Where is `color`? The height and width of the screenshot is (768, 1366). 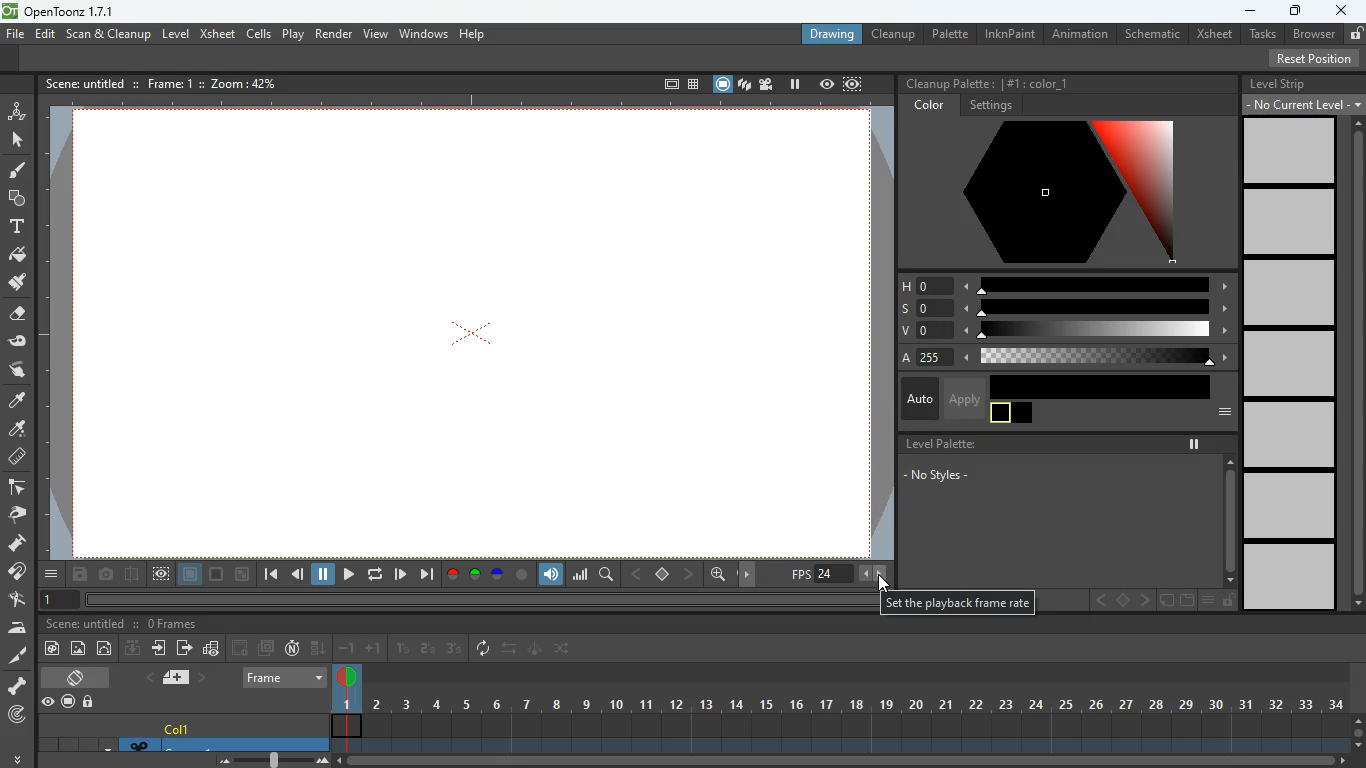
color is located at coordinates (17, 399).